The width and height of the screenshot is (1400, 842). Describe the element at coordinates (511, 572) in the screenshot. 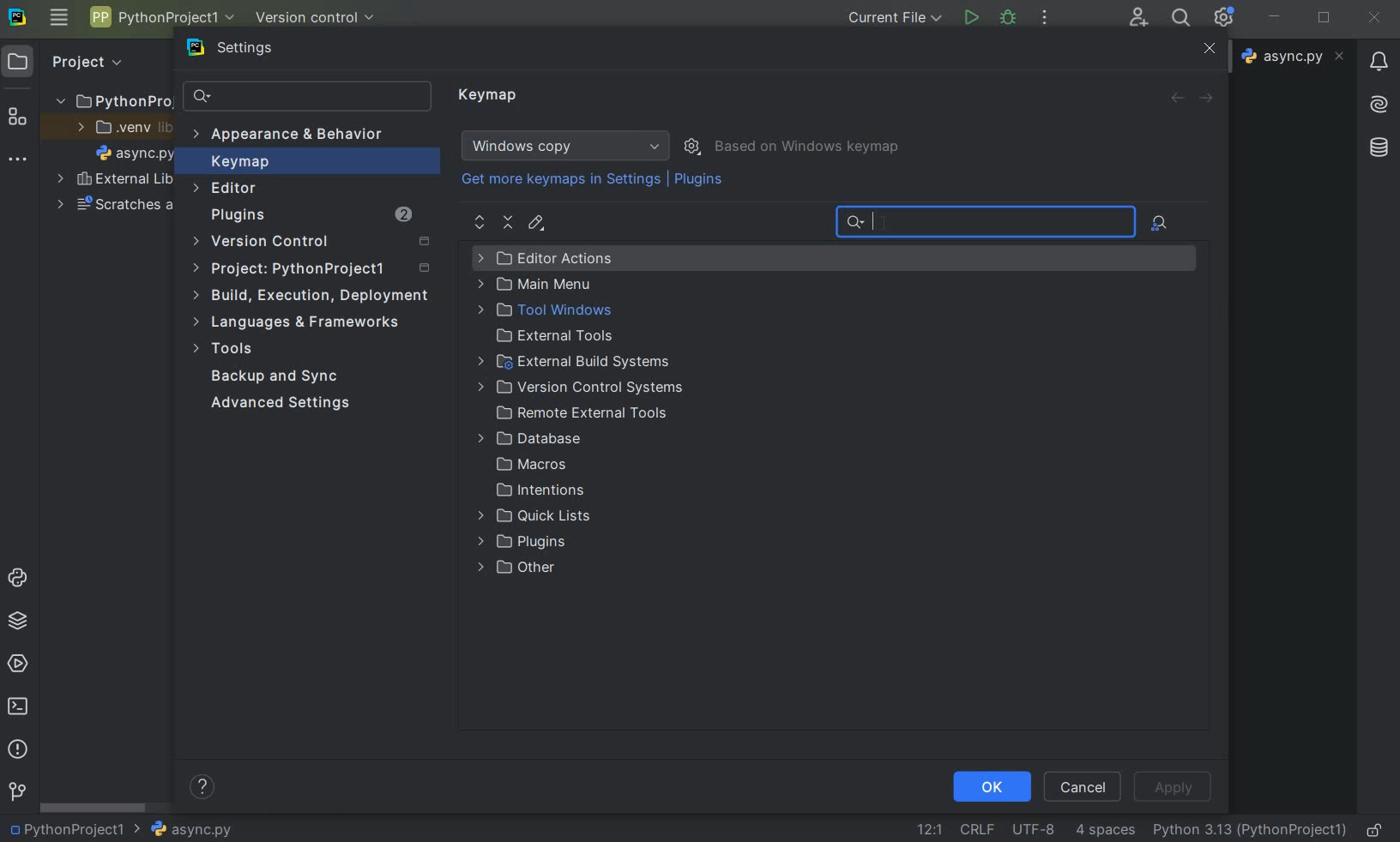

I see `other` at that location.